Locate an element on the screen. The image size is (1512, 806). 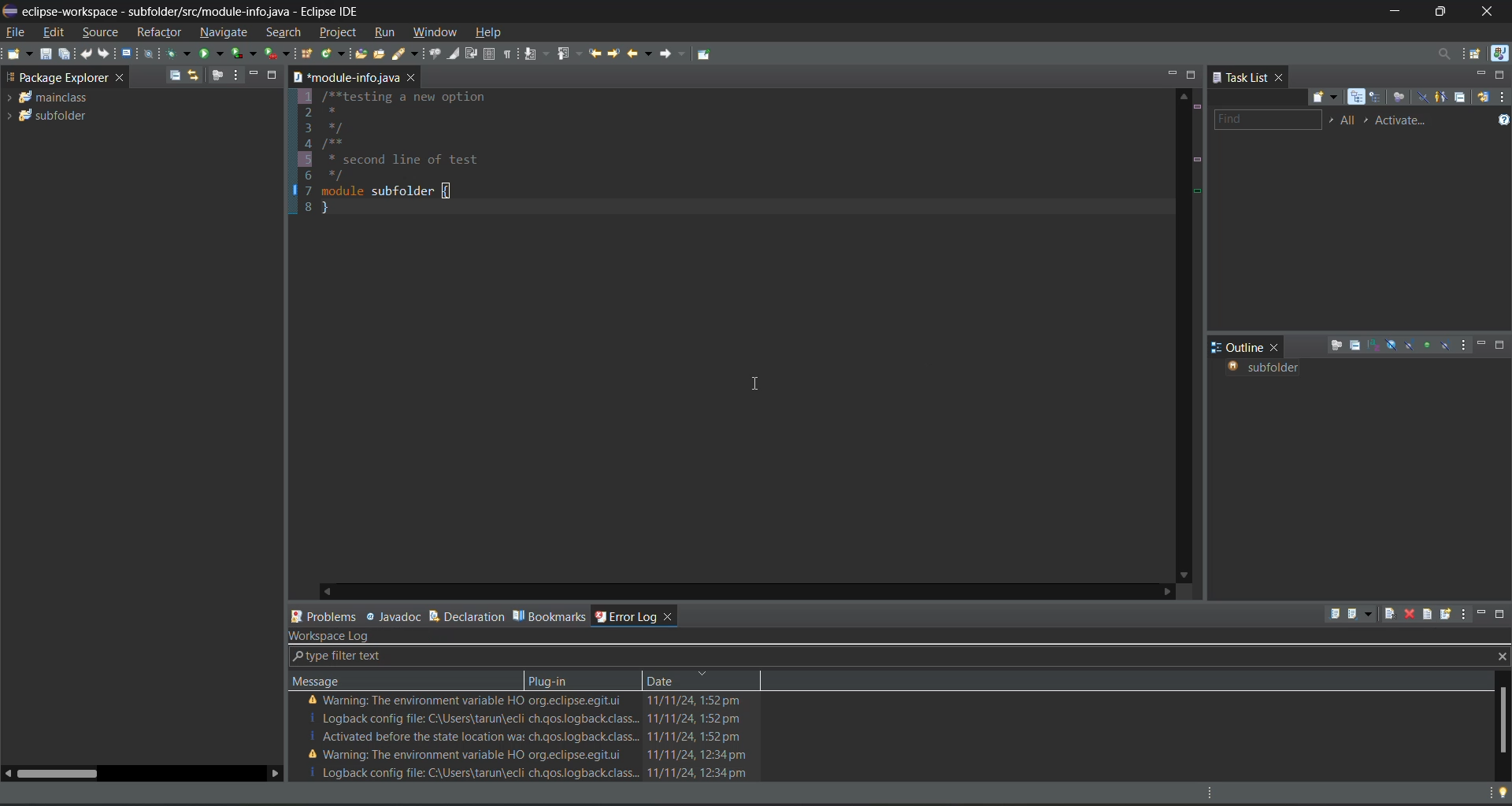
outline is located at coordinates (1238, 347).